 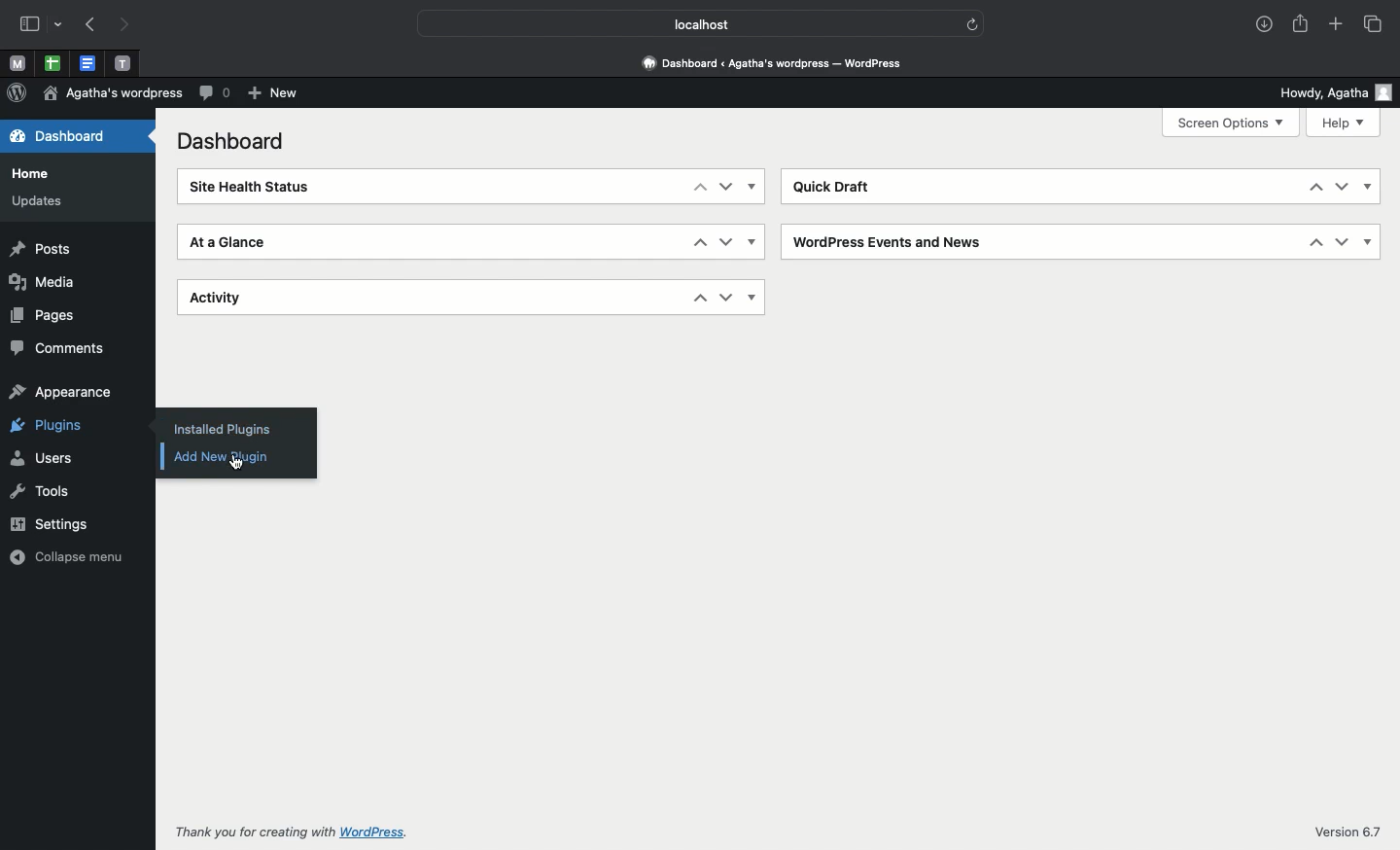 I want to click on Down, so click(x=1340, y=243).